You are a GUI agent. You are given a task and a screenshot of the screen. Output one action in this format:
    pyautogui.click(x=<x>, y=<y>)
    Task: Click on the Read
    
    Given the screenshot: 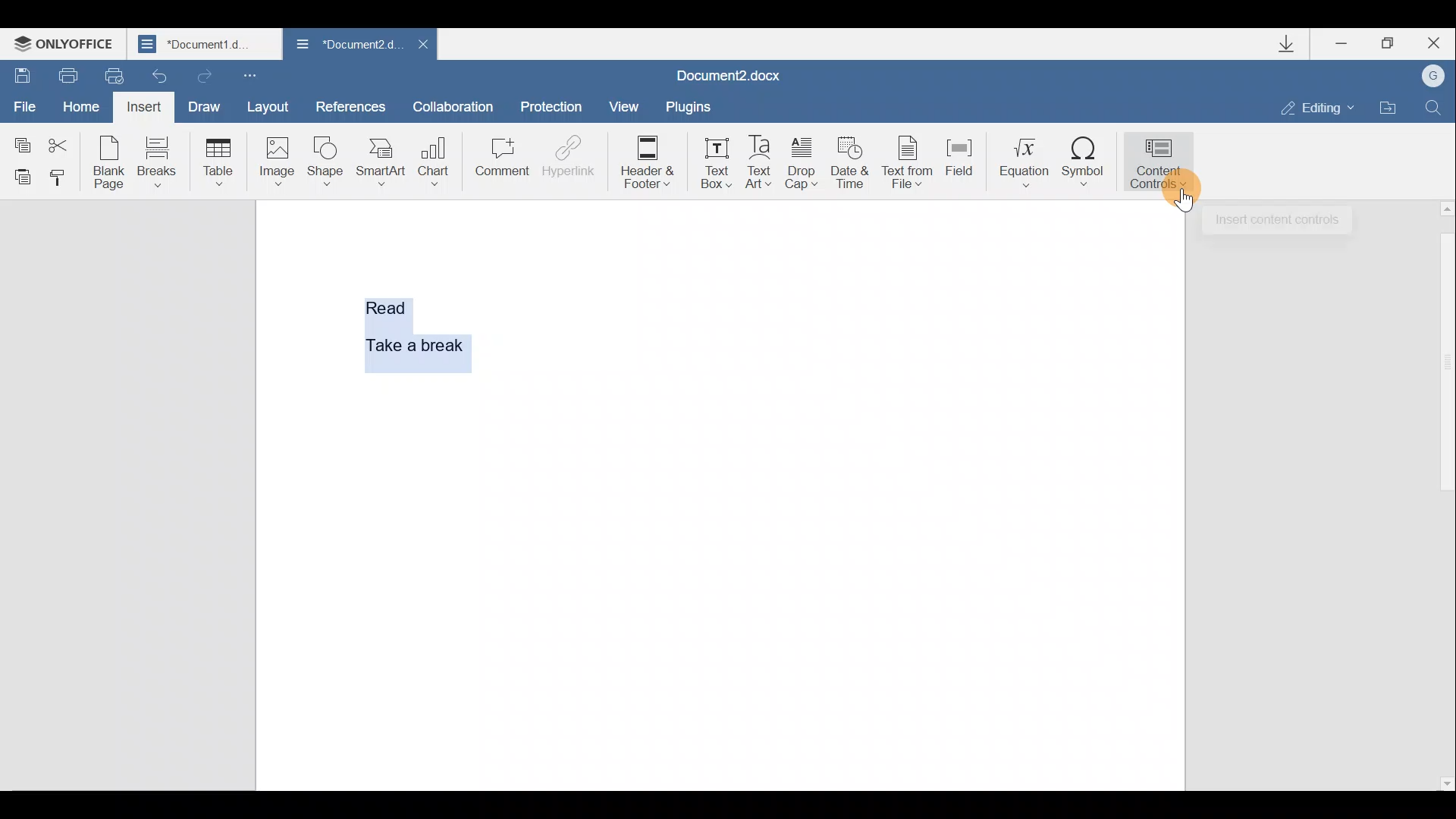 What is the action you would take?
    pyautogui.click(x=388, y=305)
    